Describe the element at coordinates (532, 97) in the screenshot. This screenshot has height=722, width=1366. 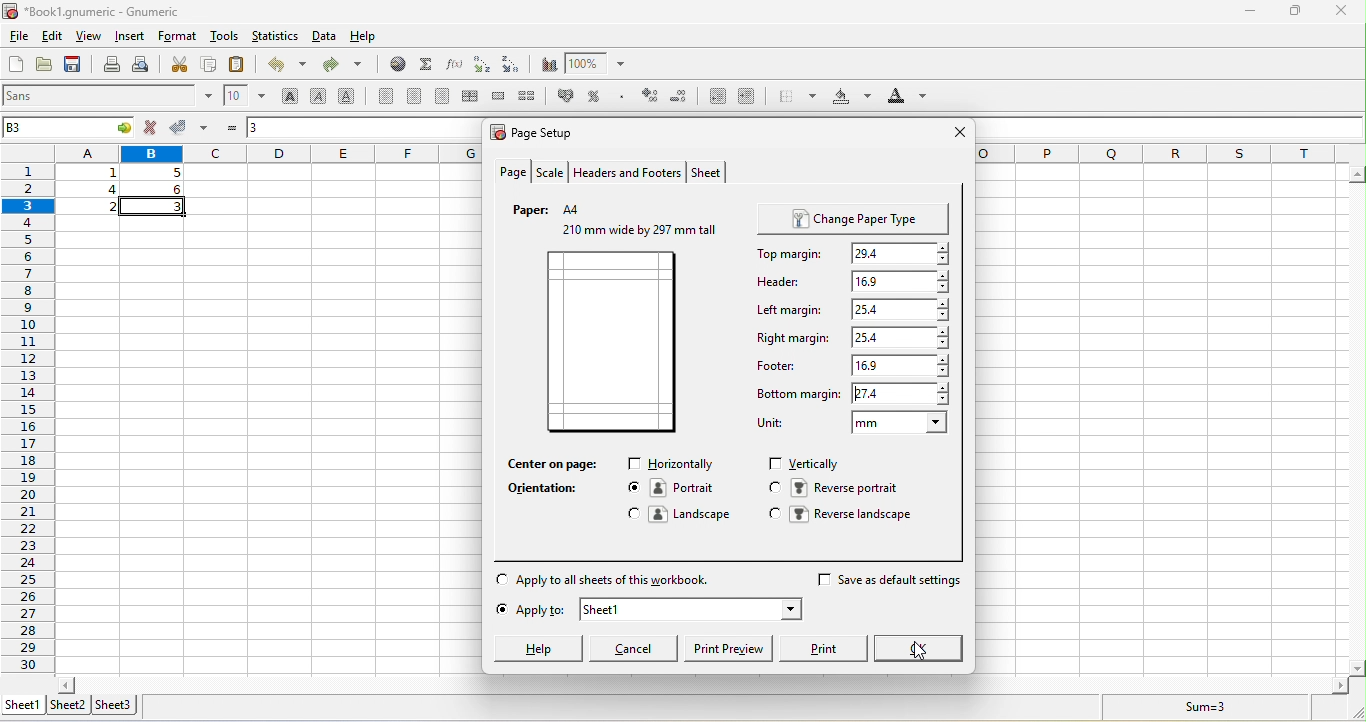
I see `split a merged cells` at that location.